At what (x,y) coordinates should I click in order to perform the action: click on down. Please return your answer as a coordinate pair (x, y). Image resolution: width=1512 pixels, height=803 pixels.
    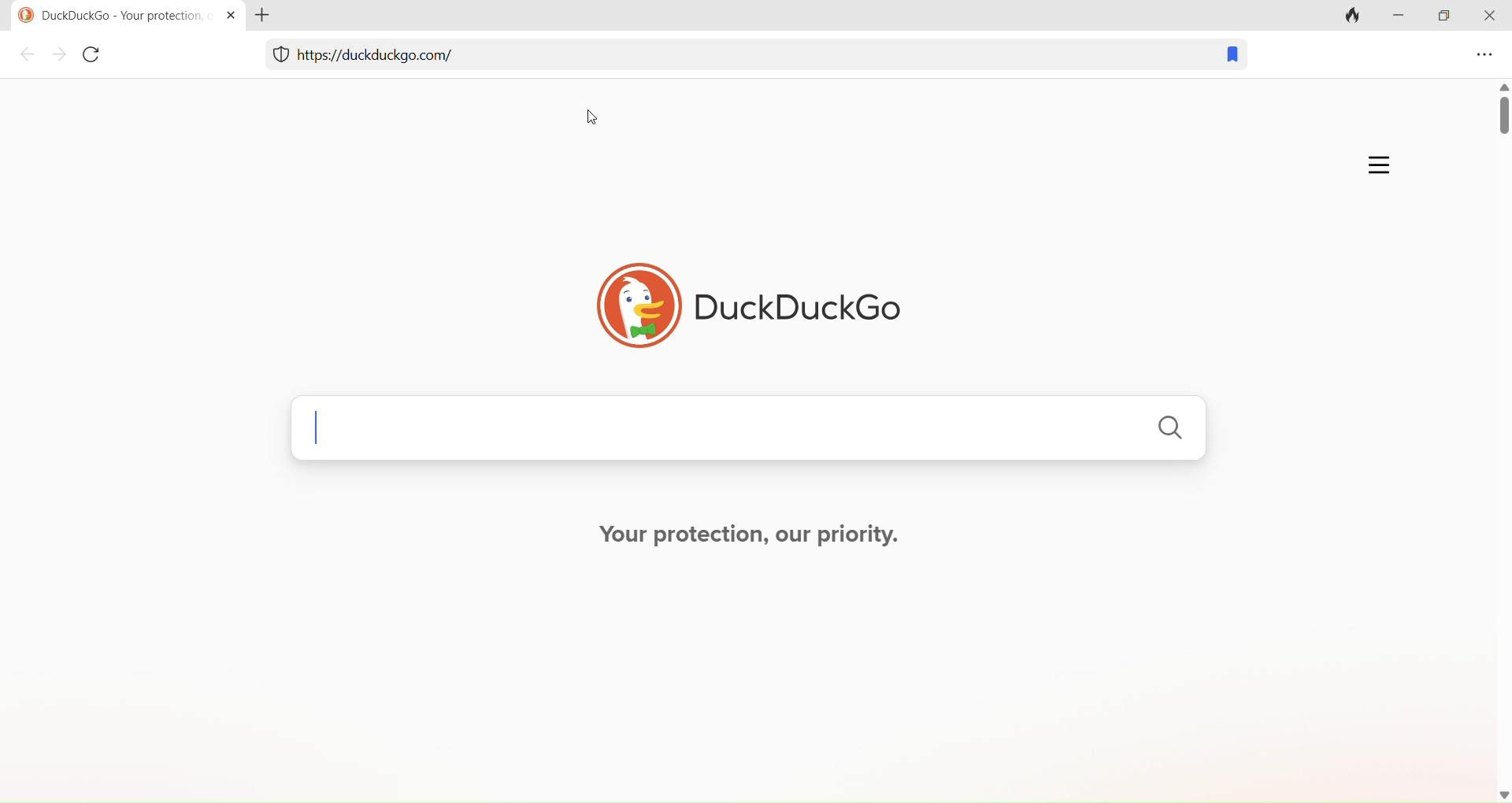
    Looking at the image, I should click on (1496, 791).